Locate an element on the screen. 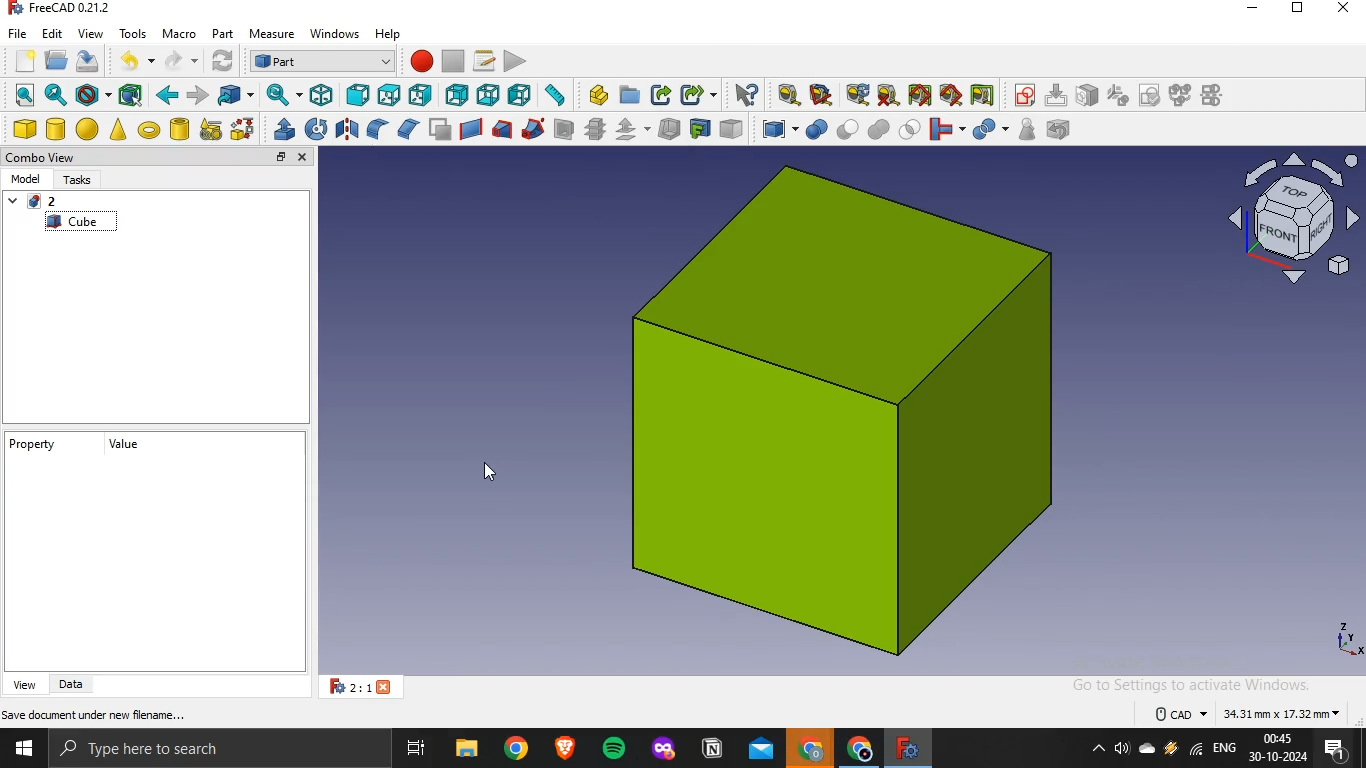 The height and width of the screenshot is (768, 1366). left is located at coordinates (522, 95).